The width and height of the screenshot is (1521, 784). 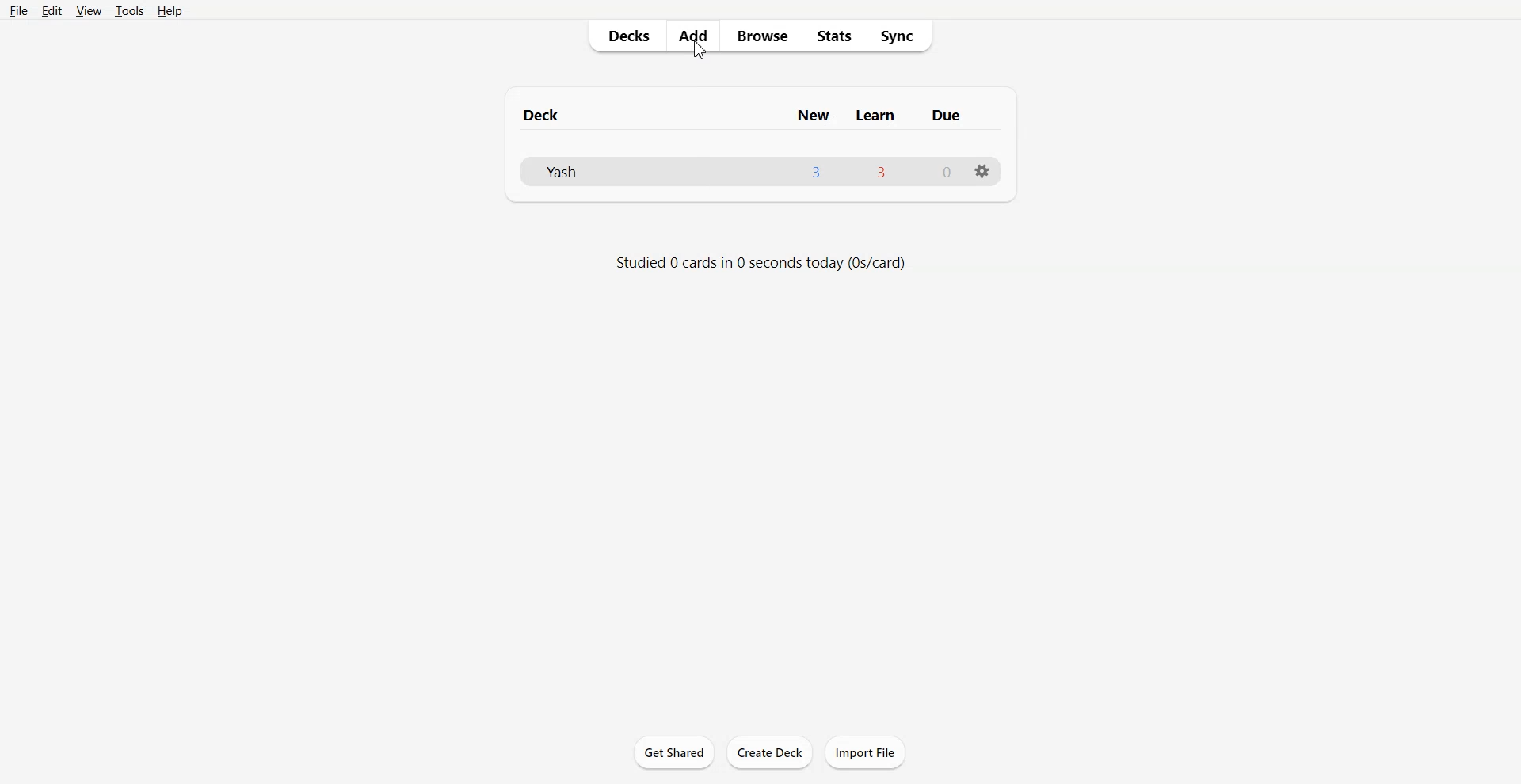 I want to click on View, so click(x=89, y=12).